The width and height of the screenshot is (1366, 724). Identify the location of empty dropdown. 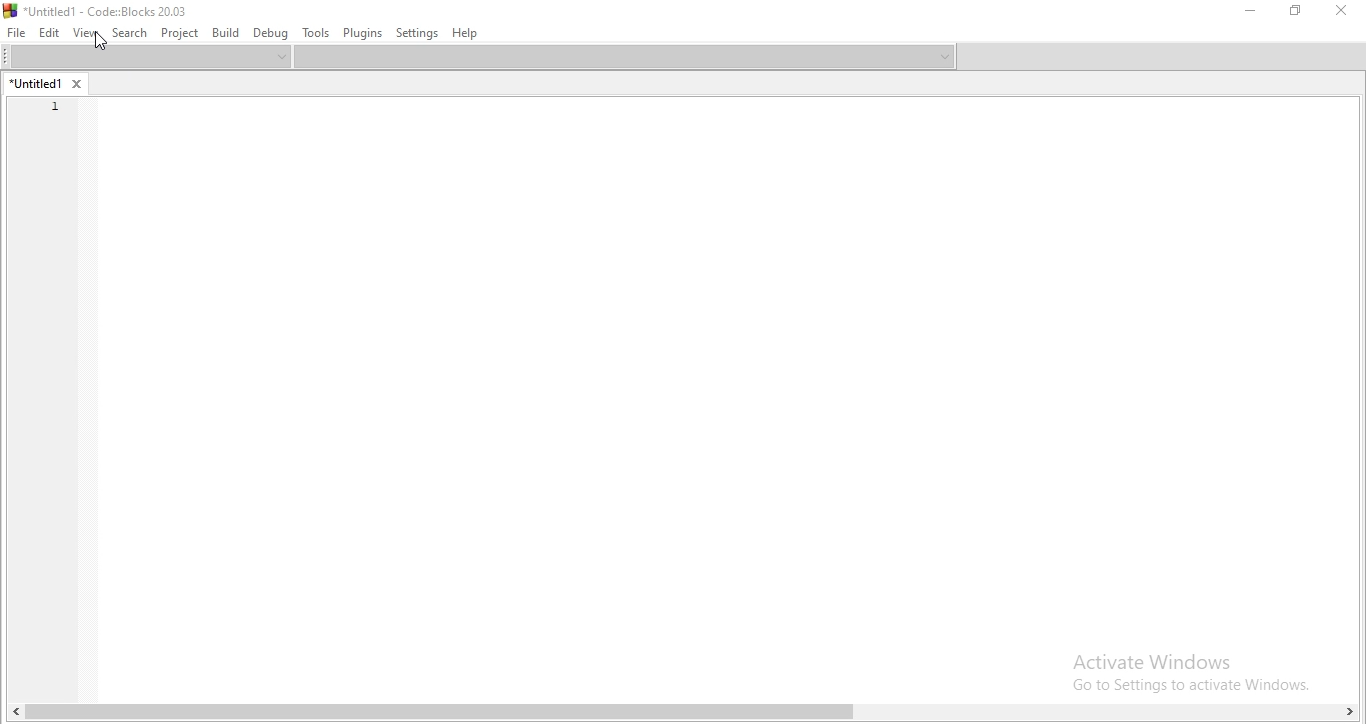
(1160, 57).